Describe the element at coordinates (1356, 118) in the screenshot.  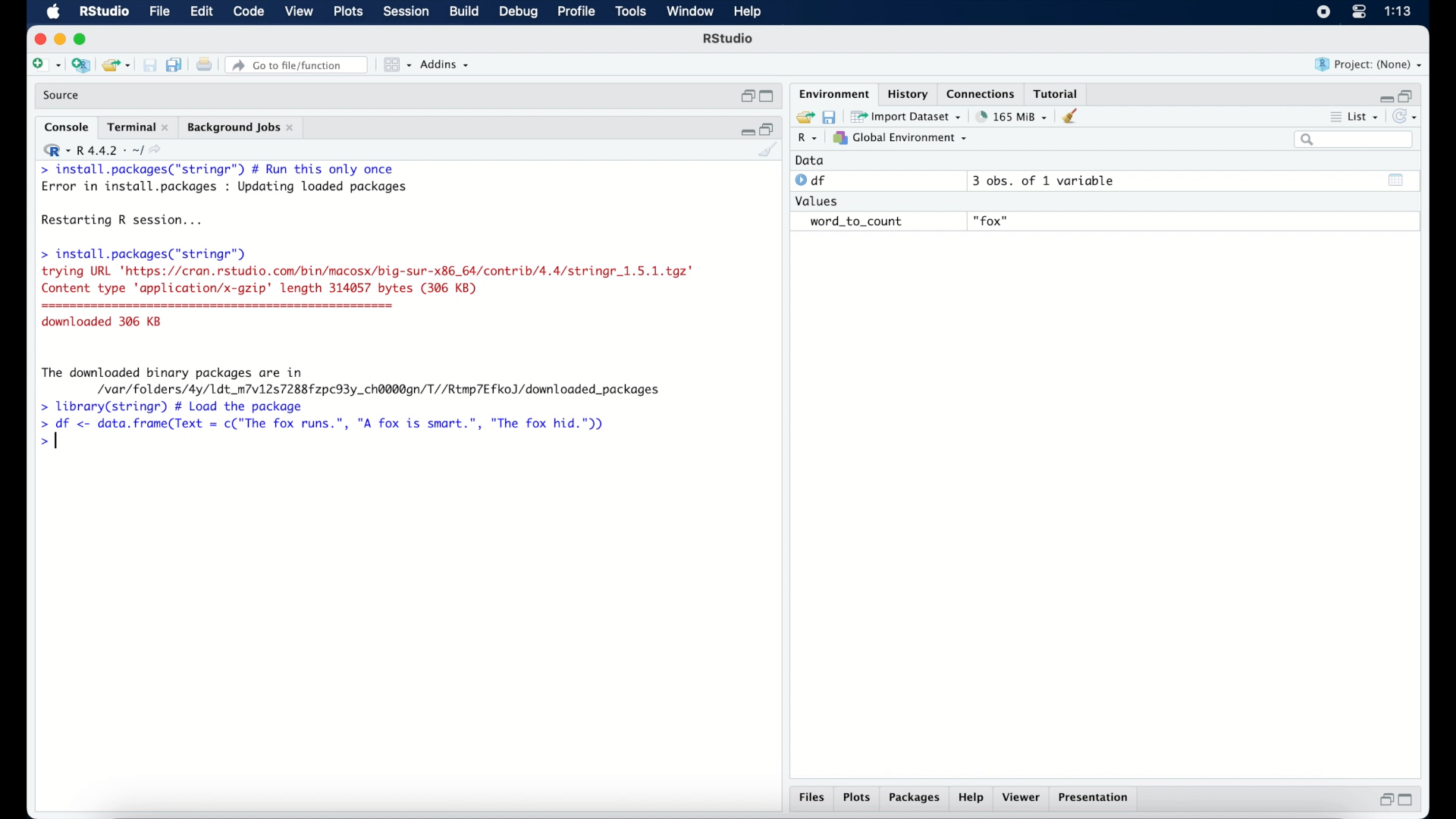
I see `list` at that location.